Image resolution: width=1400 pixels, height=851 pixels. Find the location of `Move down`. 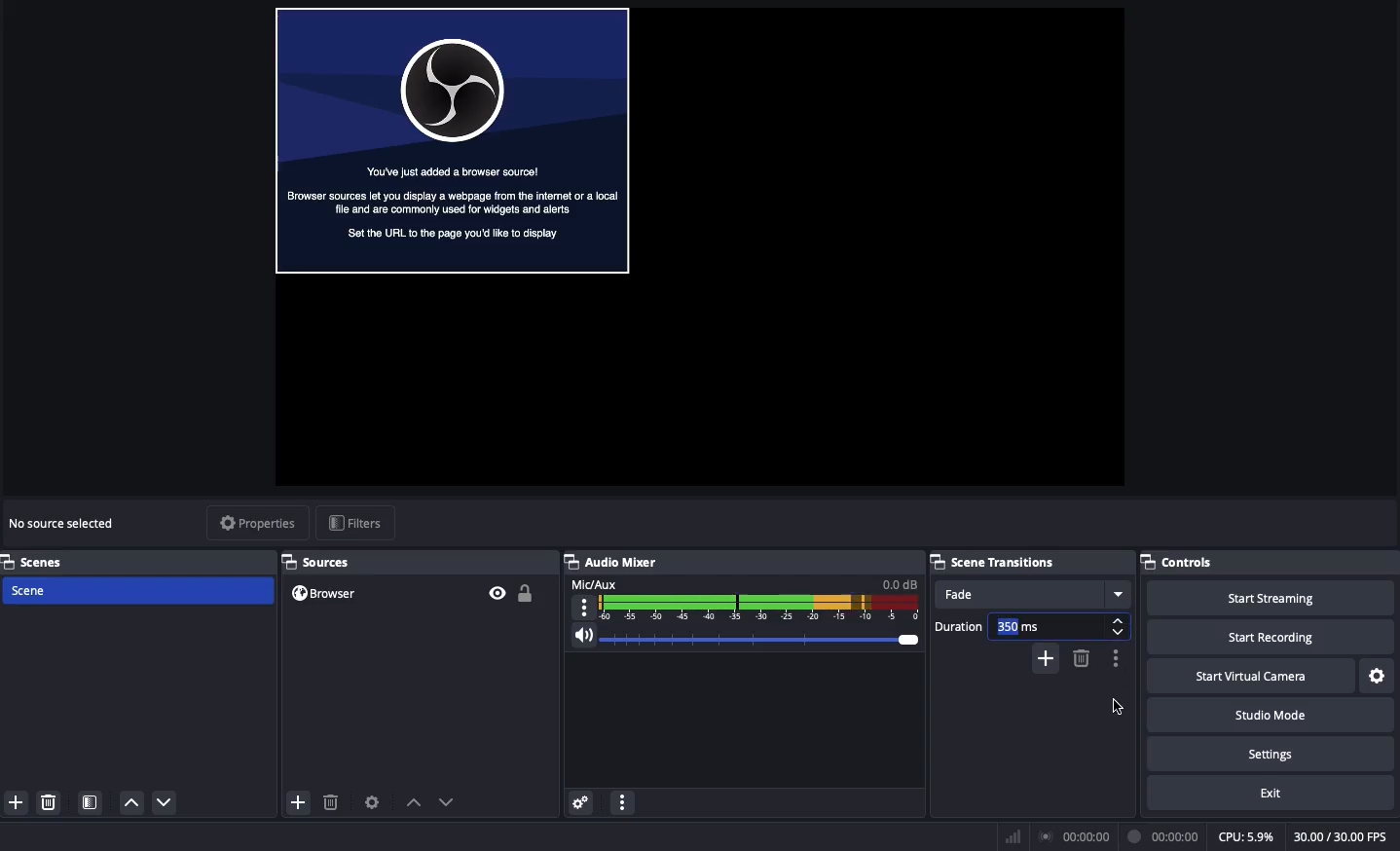

Move down is located at coordinates (166, 801).